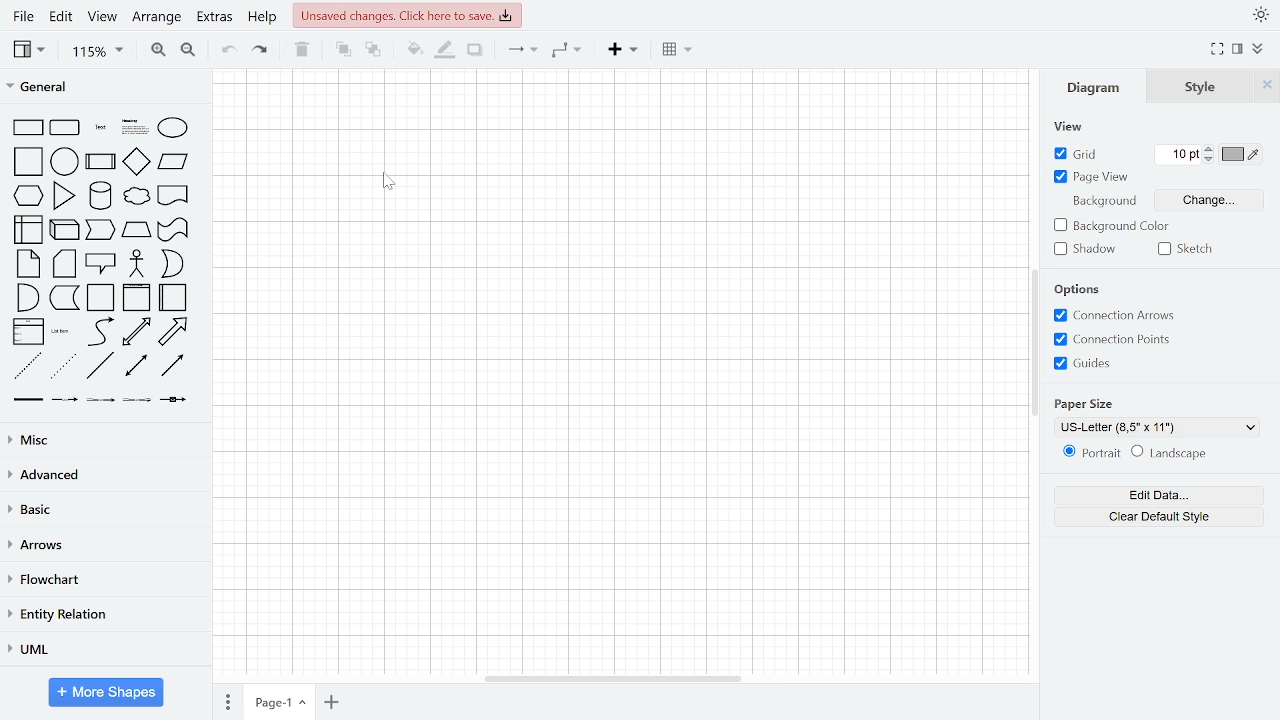  Describe the element at coordinates (30, 162) in the screenshot. I see `square` at that location.